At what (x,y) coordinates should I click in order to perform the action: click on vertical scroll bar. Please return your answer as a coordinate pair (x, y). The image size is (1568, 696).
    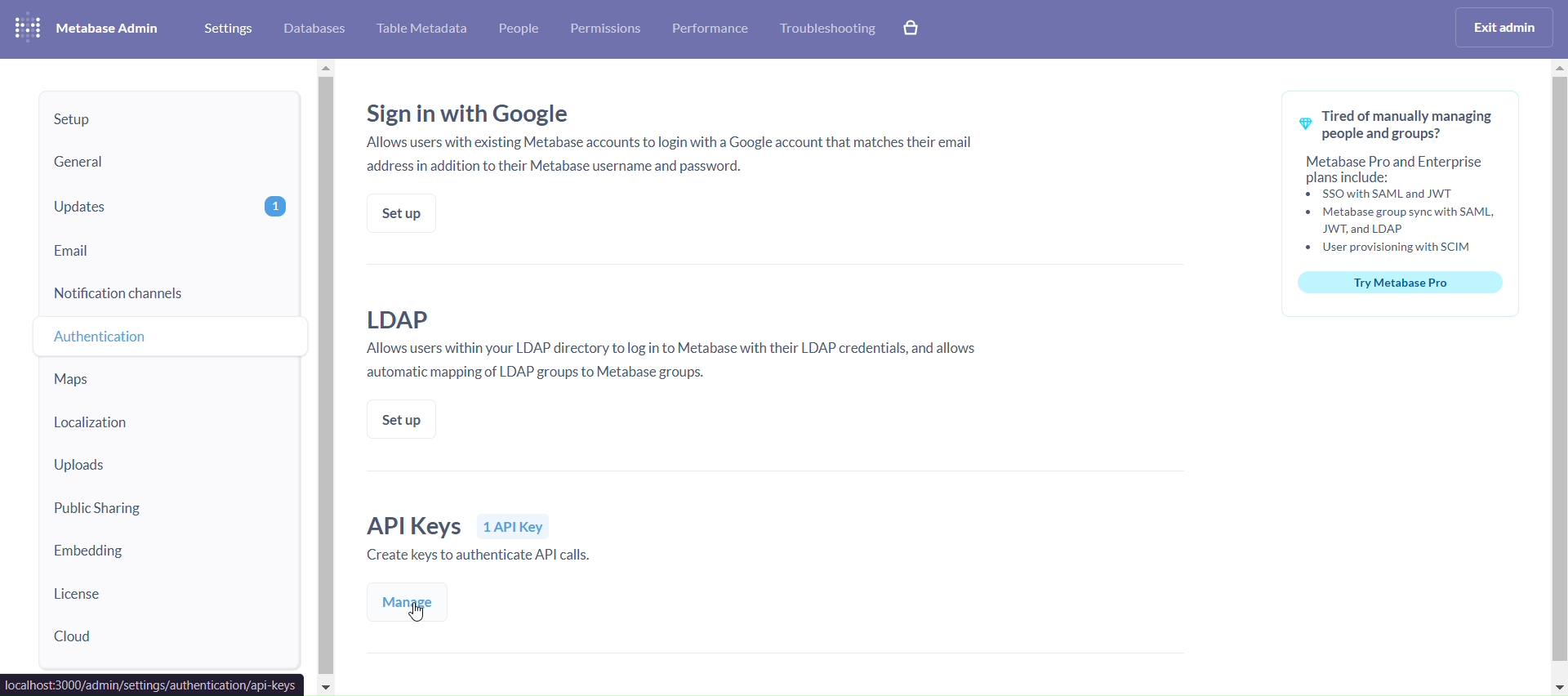
    Looking at the image, I should click on (327, 377).